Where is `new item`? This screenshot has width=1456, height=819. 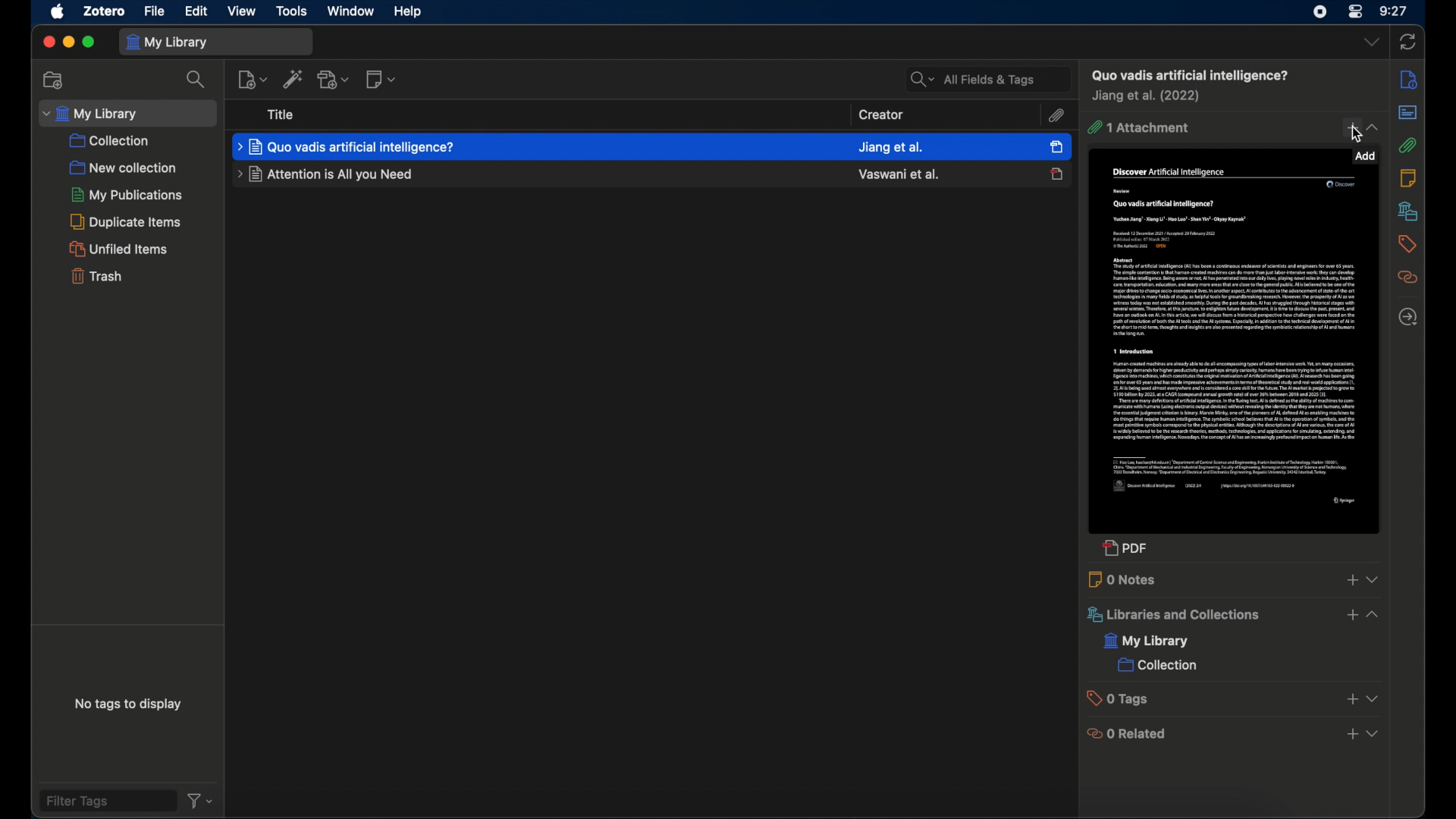
new item is located at coordinates (252, 78).